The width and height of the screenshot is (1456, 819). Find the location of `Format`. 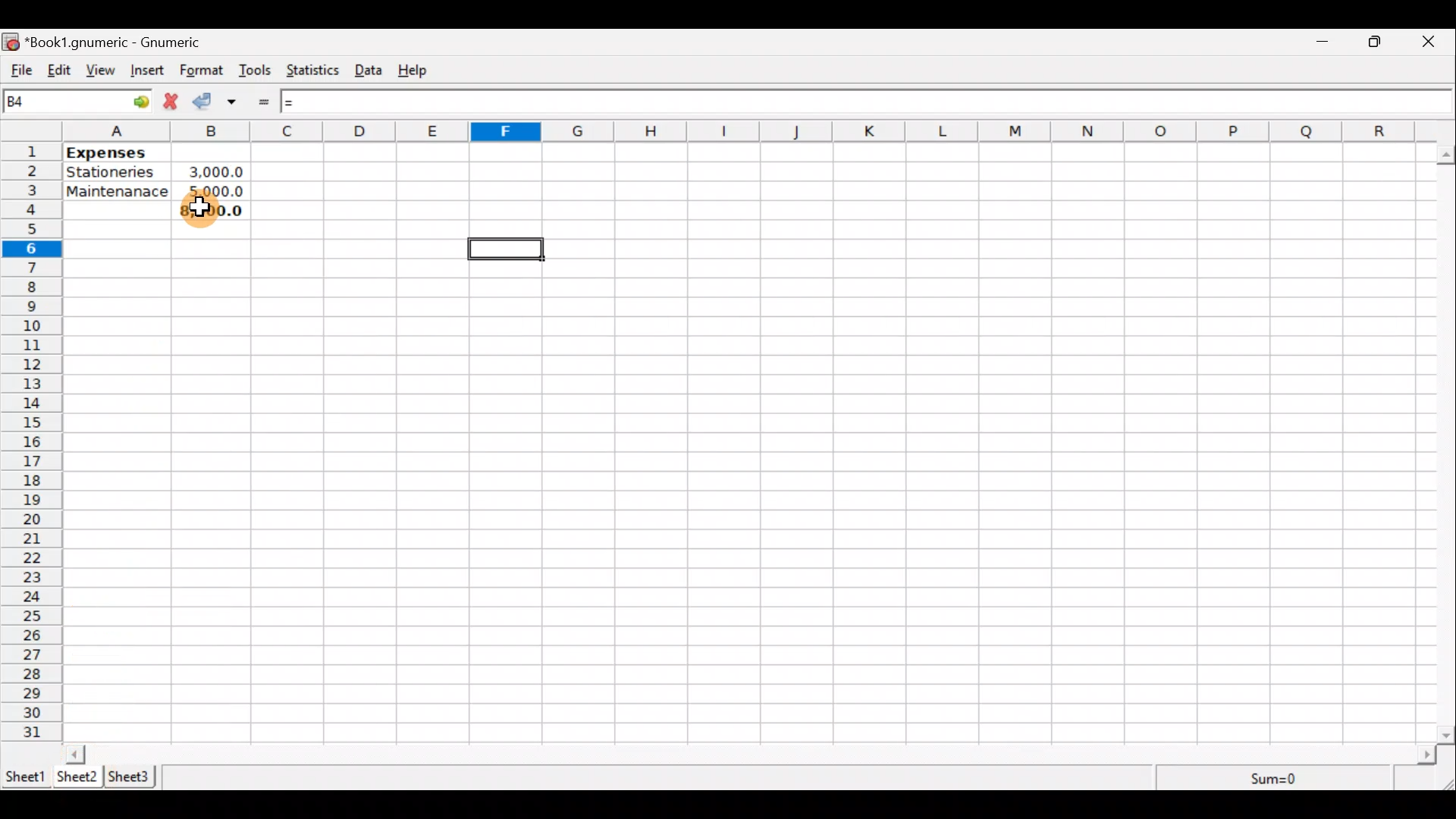

Format is located at coordinates (202, 71).